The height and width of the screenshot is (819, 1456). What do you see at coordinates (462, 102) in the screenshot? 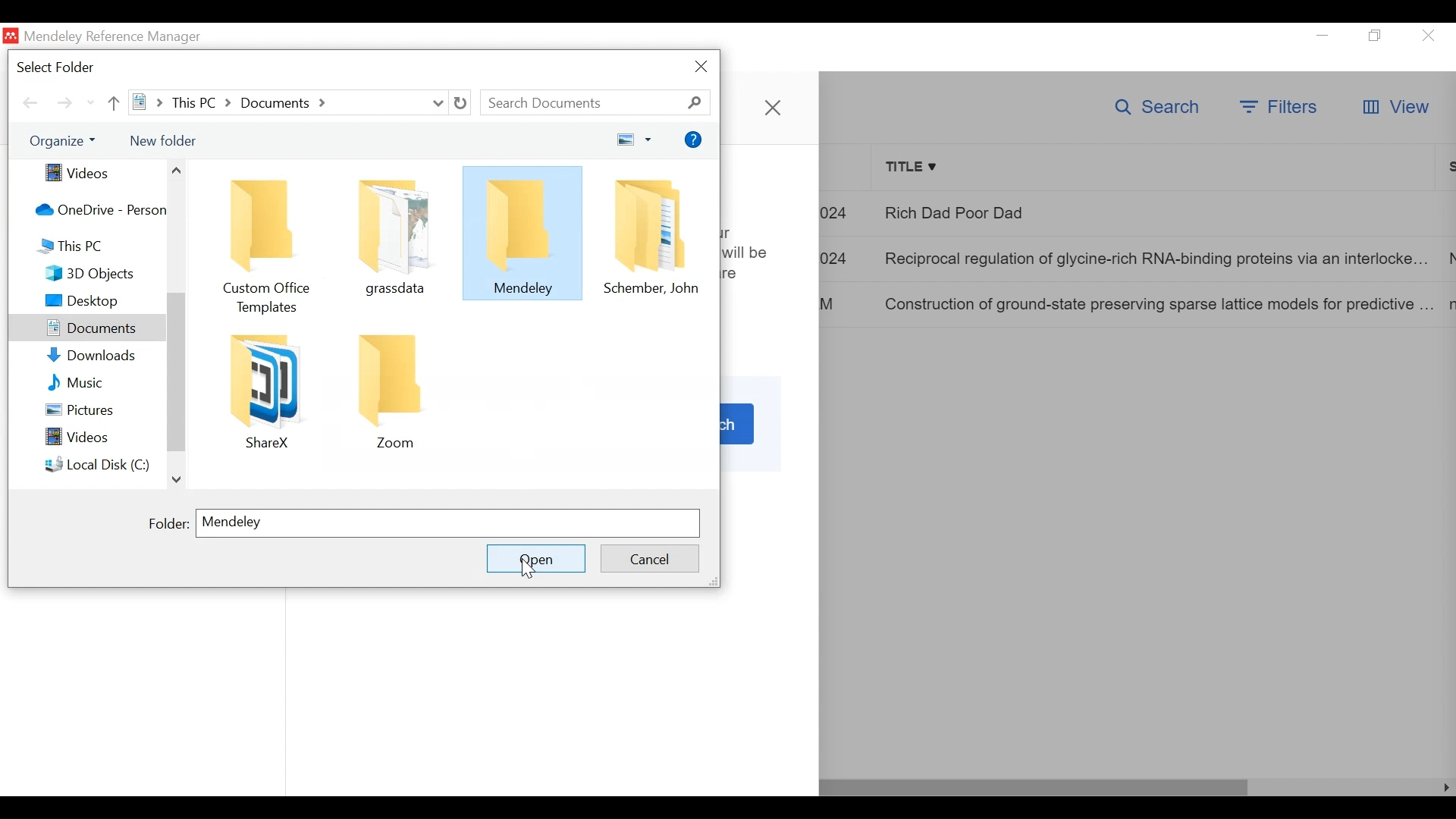
I see `Refresh` at bounding box center [462, 102].